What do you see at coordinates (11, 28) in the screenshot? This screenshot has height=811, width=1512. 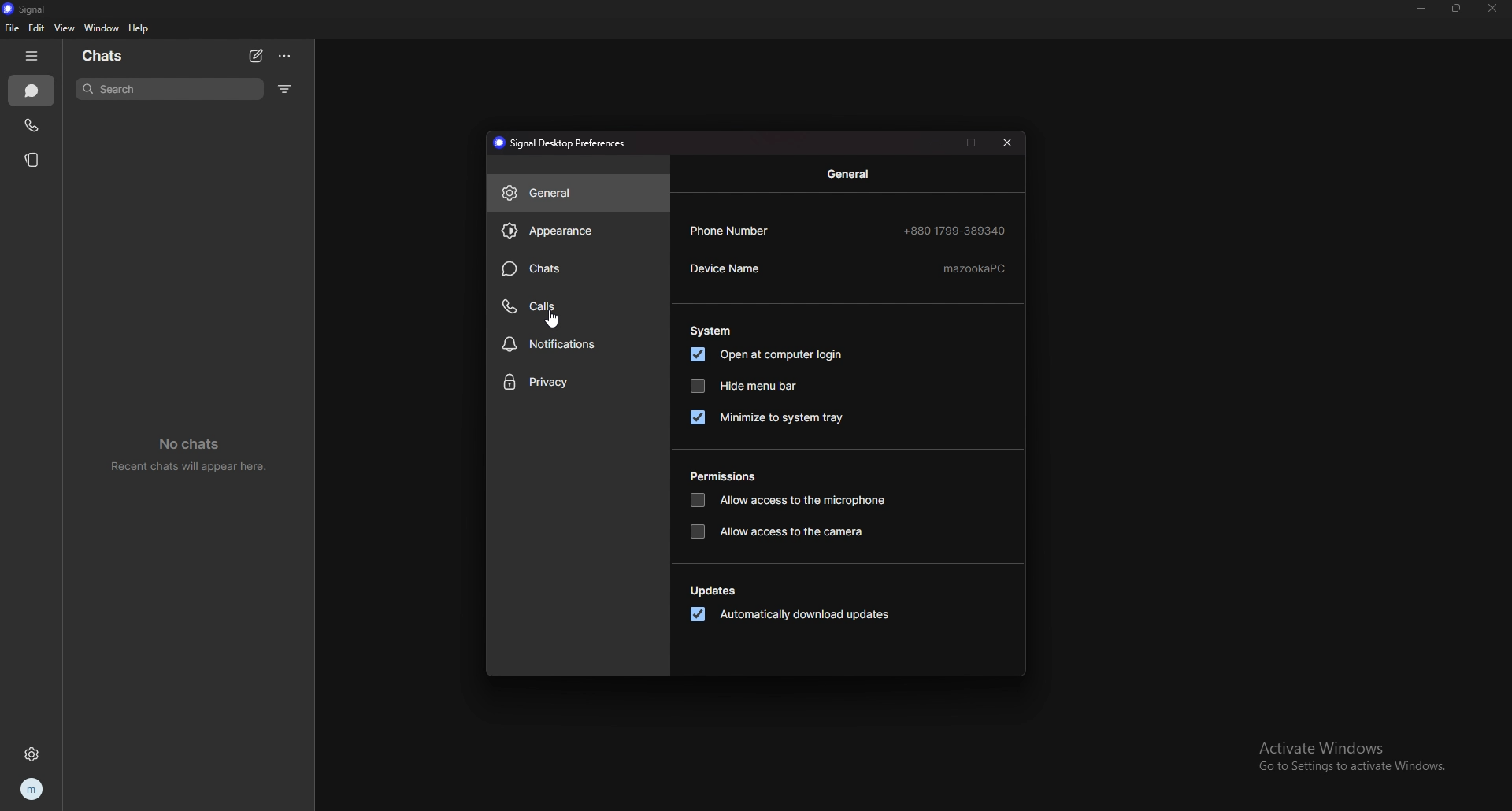 I see `file` at bounding box center [11, 28].